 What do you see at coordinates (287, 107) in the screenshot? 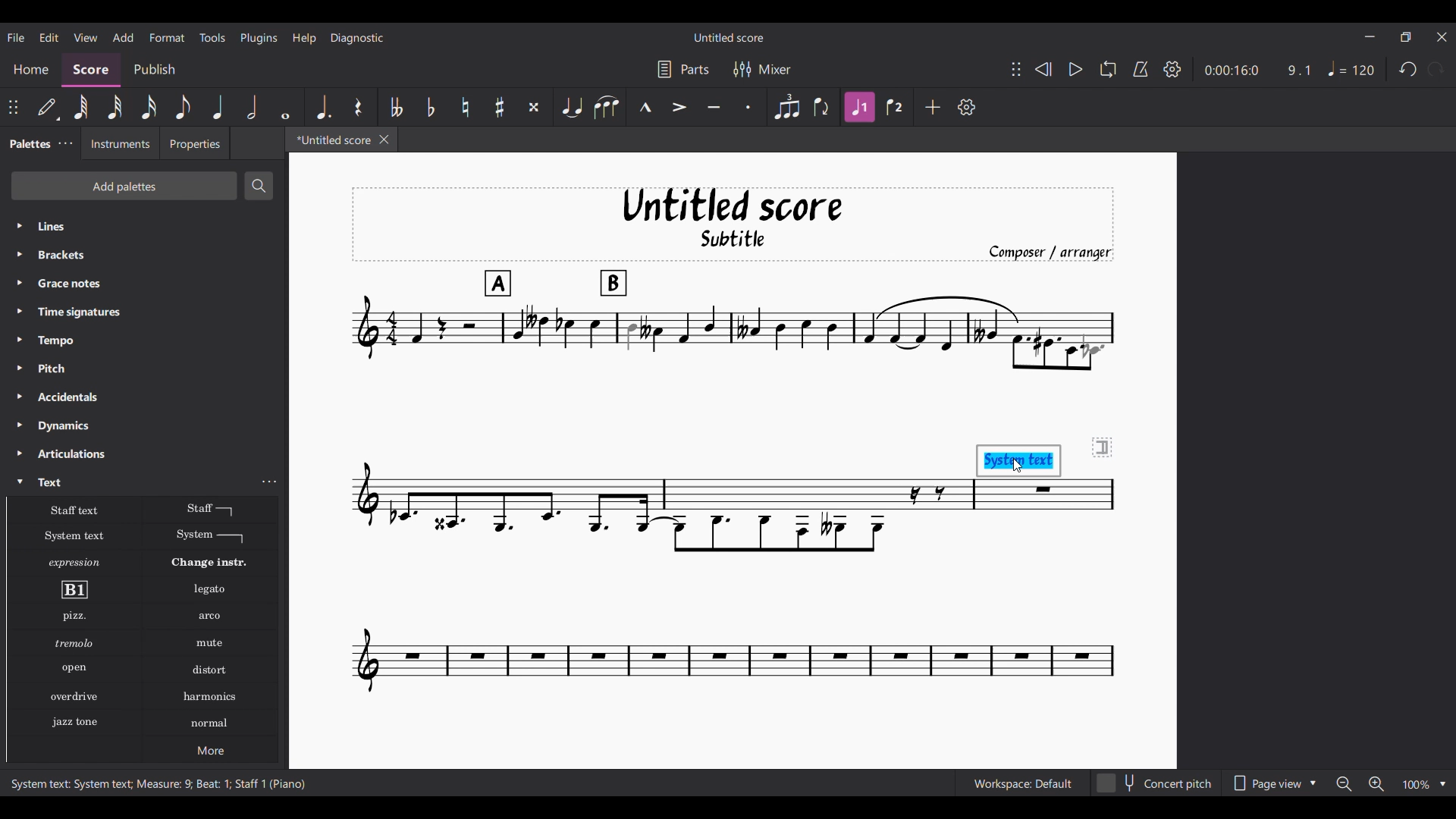
I see `Whole note` at bounding box center [287, 107].